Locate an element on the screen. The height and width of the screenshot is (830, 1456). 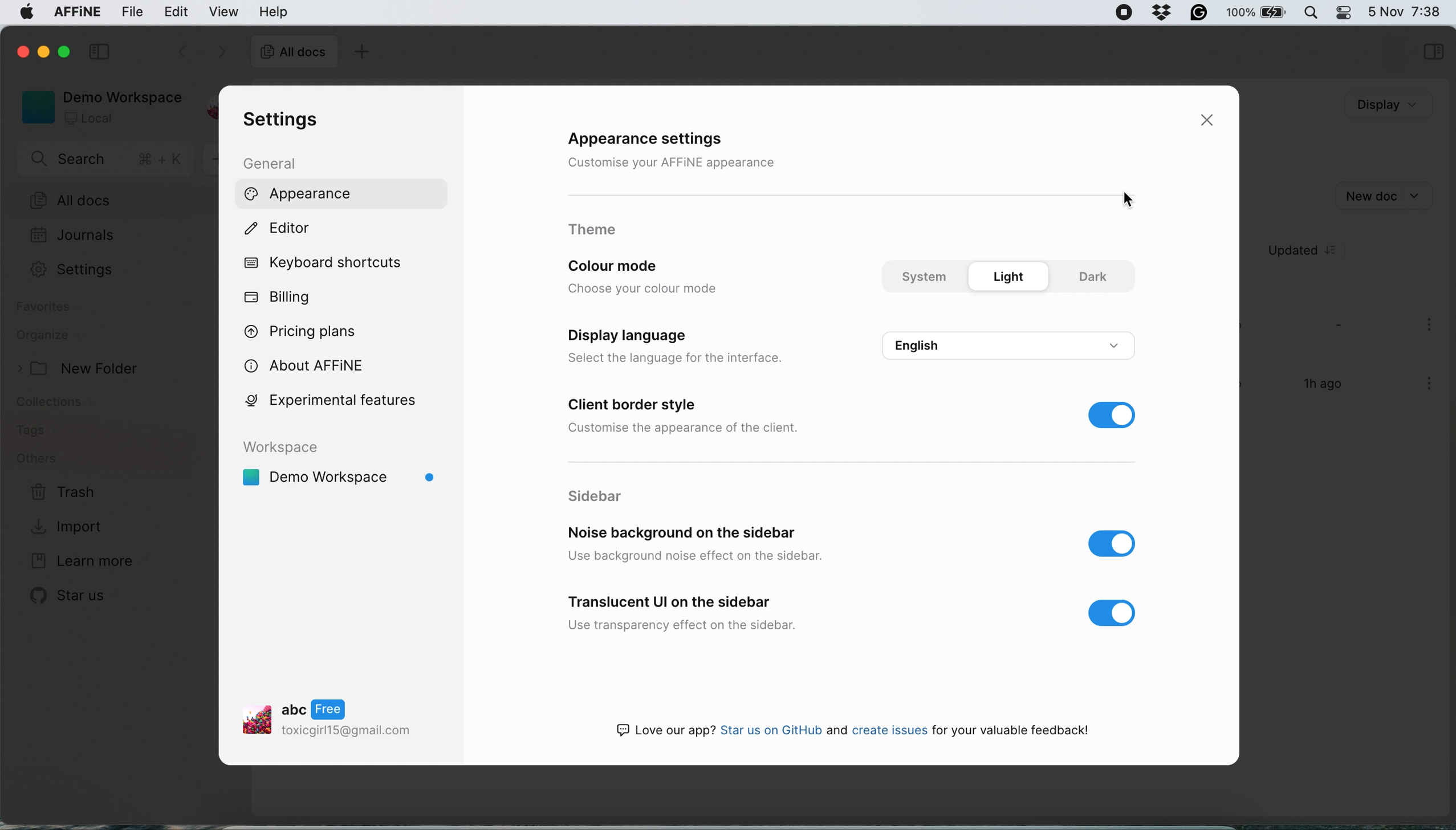
import is located at coordinates (82, 526).